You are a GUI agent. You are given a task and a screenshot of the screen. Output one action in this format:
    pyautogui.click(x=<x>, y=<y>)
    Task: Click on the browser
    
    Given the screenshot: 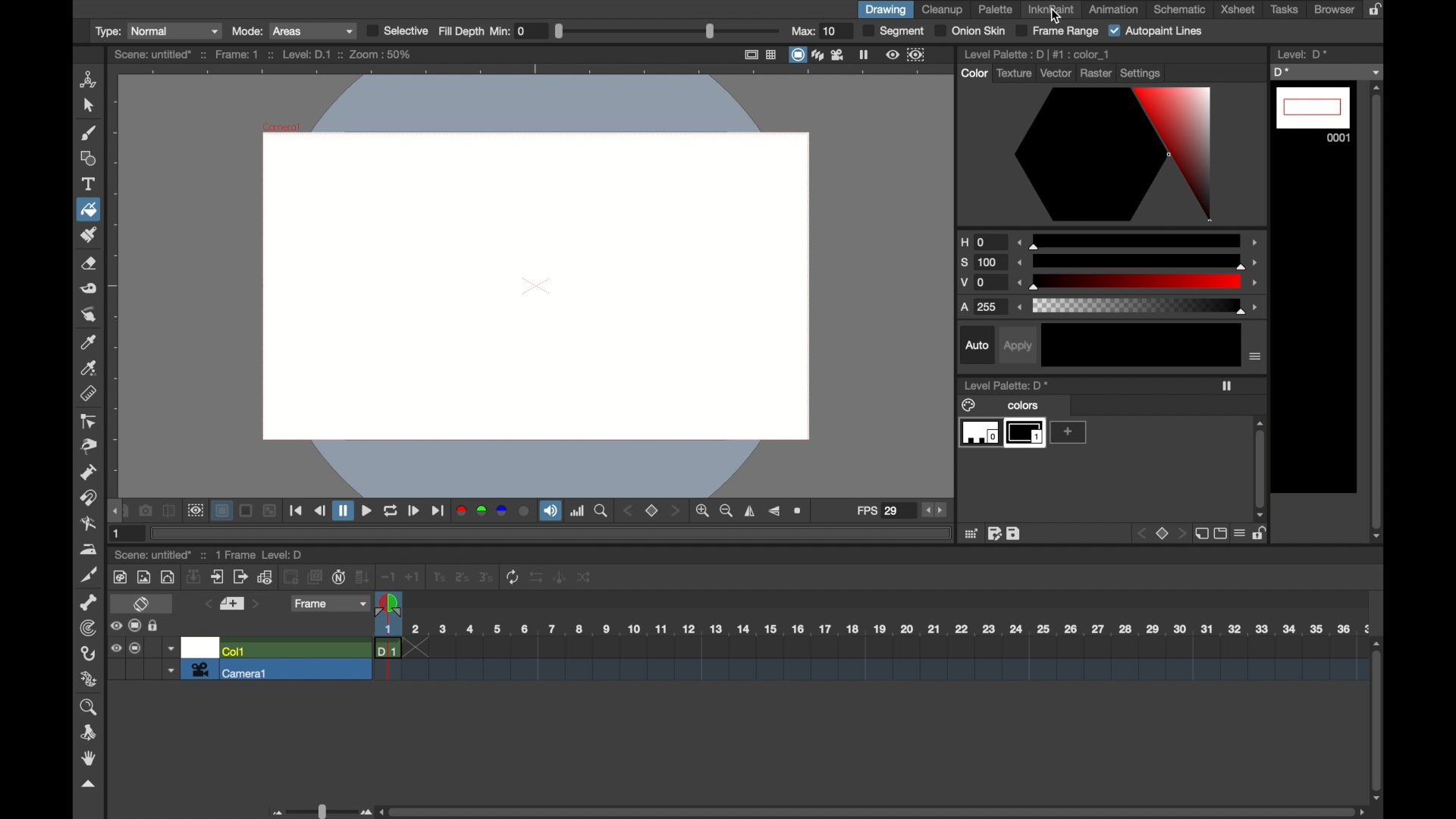 What is the action you would take?
    pyautogui.click(x=1335, y=9)
    